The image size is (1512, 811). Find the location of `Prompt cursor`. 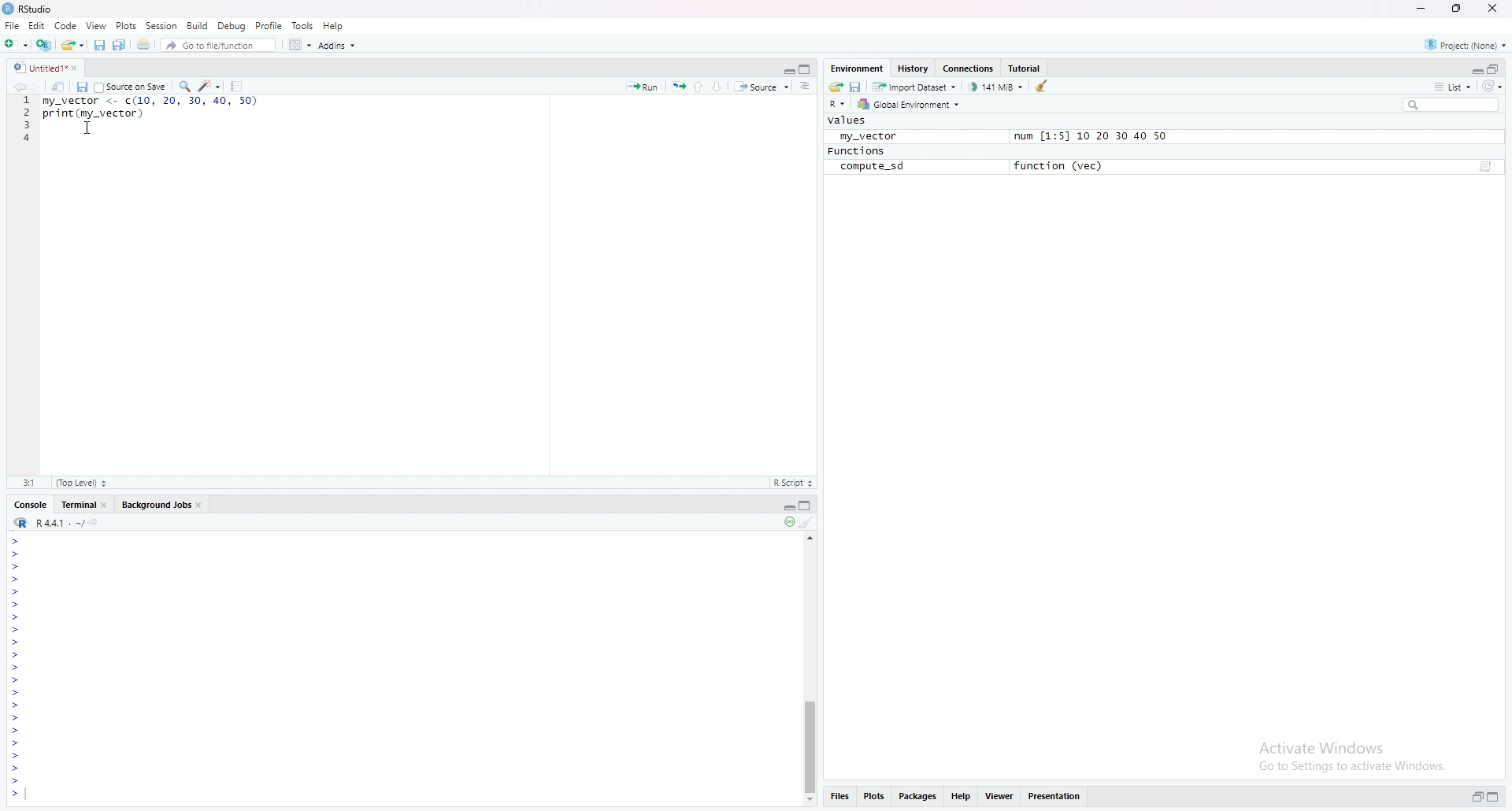

Prompt cursor is located at coordinates (18, 694).